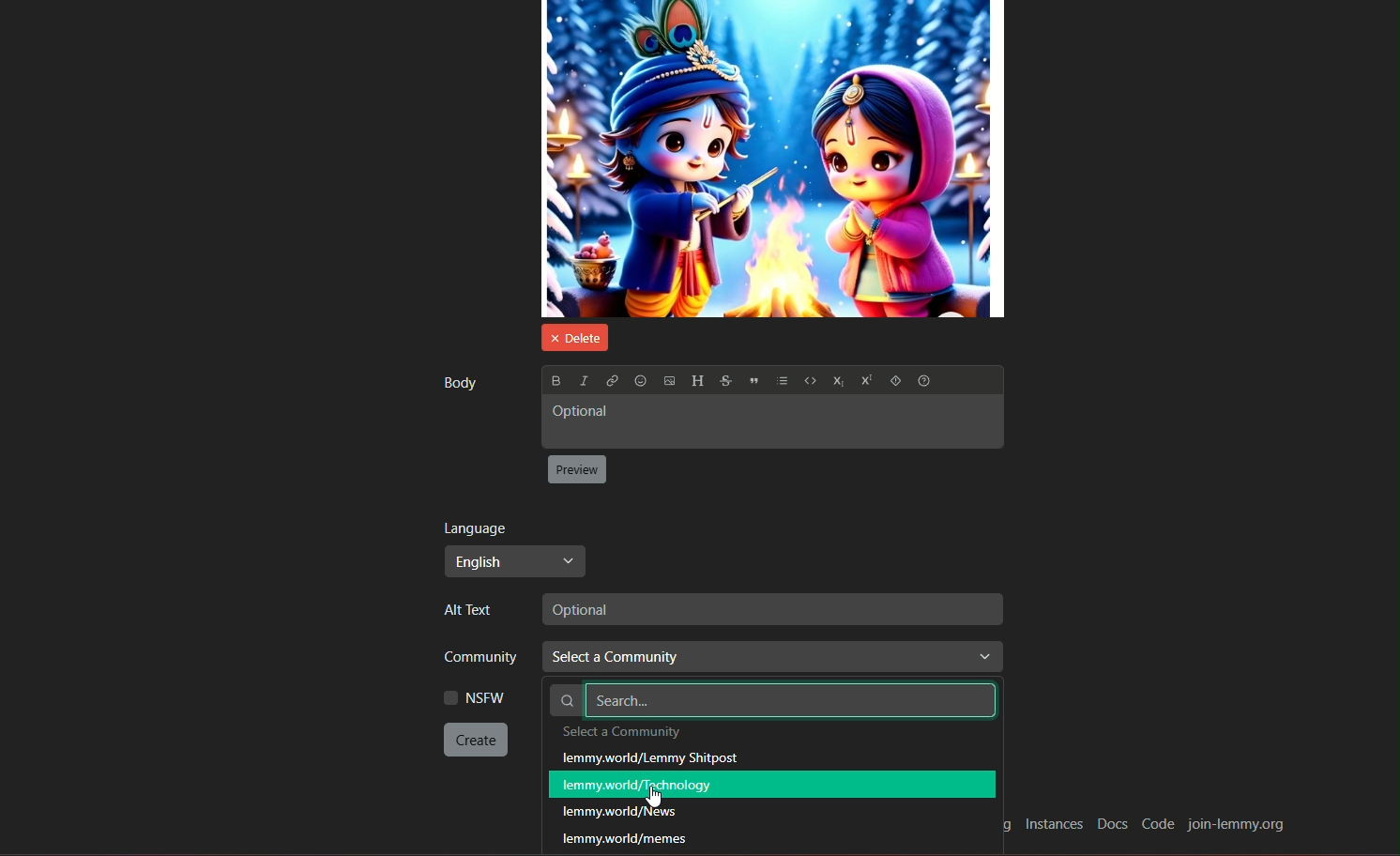 This screenshot has width=1400, height=856. Describe the element at coordinates (458, 382) in the screenshot. I see `Body` at that location.